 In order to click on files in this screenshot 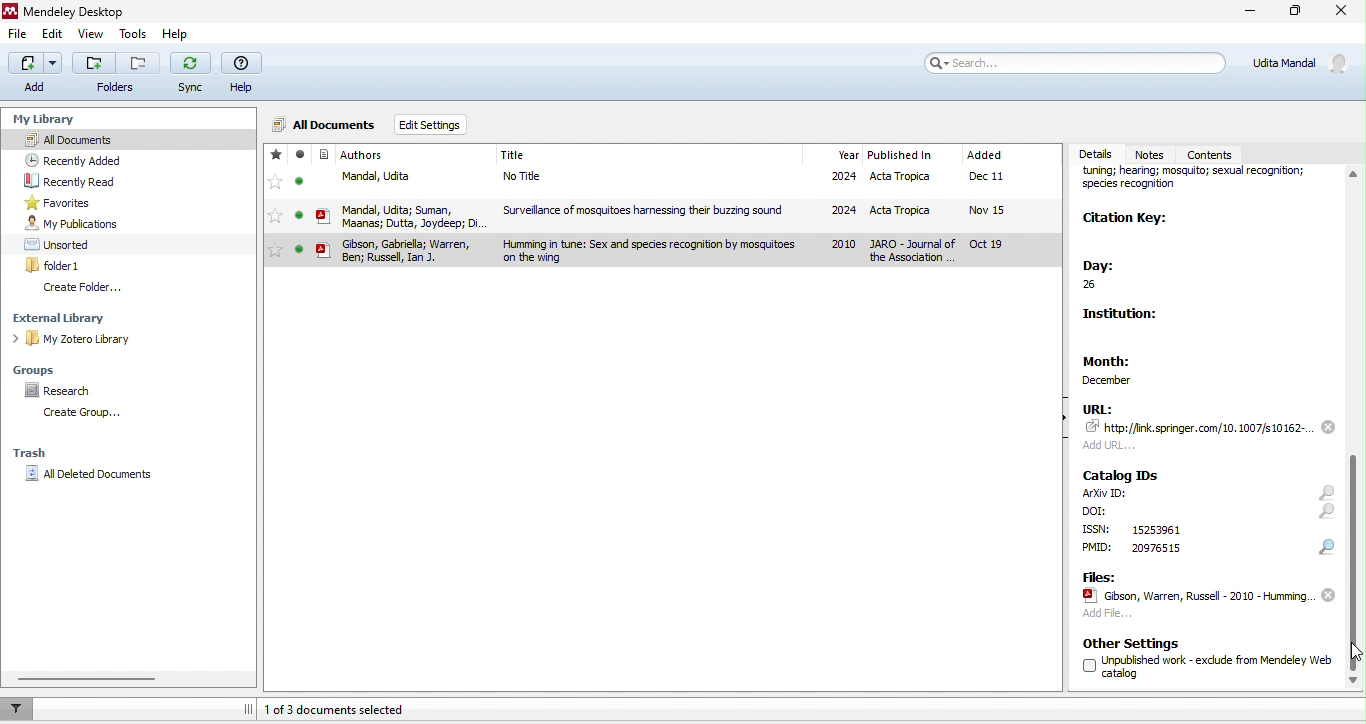, I will do `click(1098, 576)`.